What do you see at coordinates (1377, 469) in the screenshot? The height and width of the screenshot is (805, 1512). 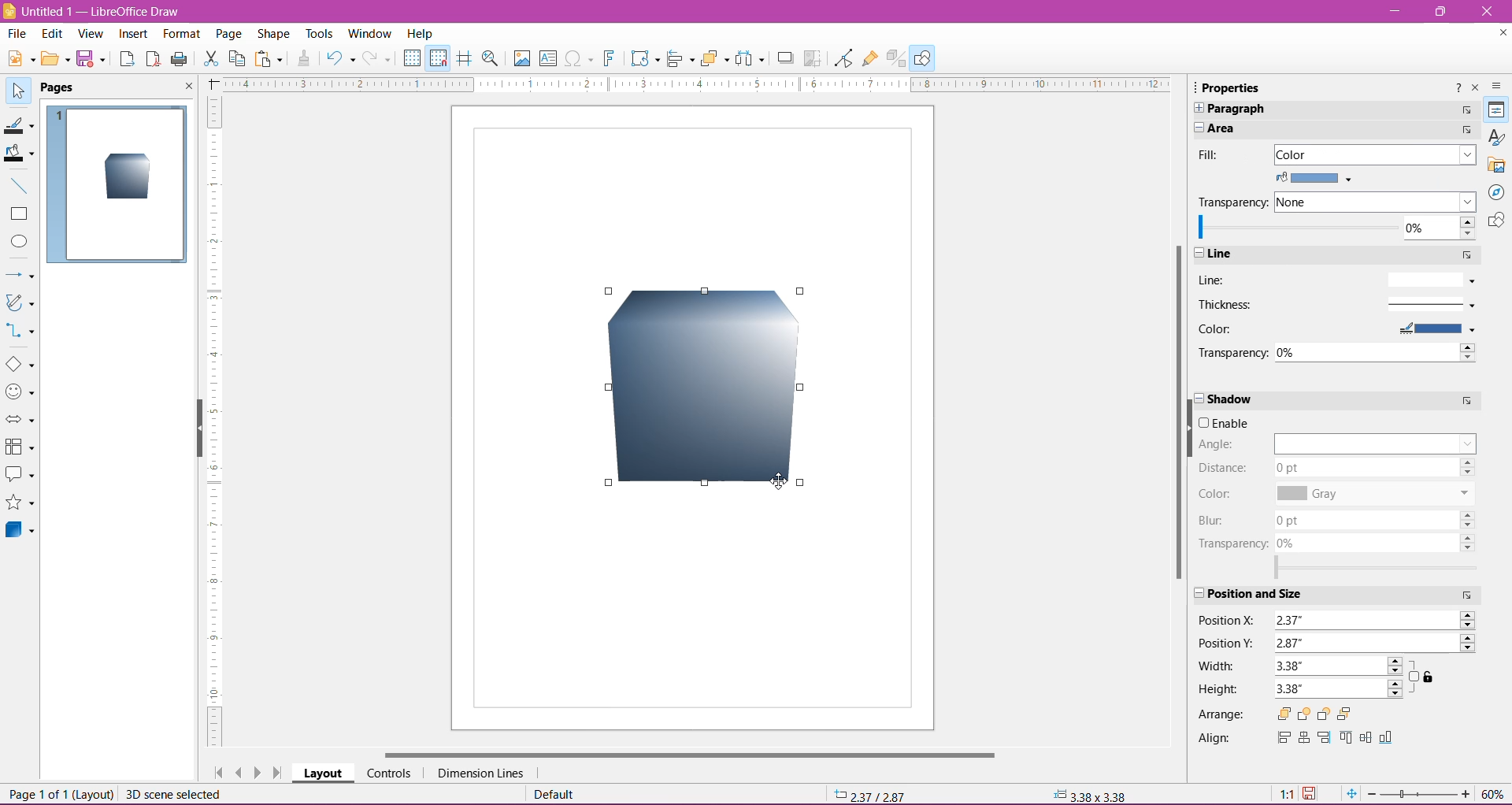 I see `Set Shadow distance` at bounding box center [1377, 469].